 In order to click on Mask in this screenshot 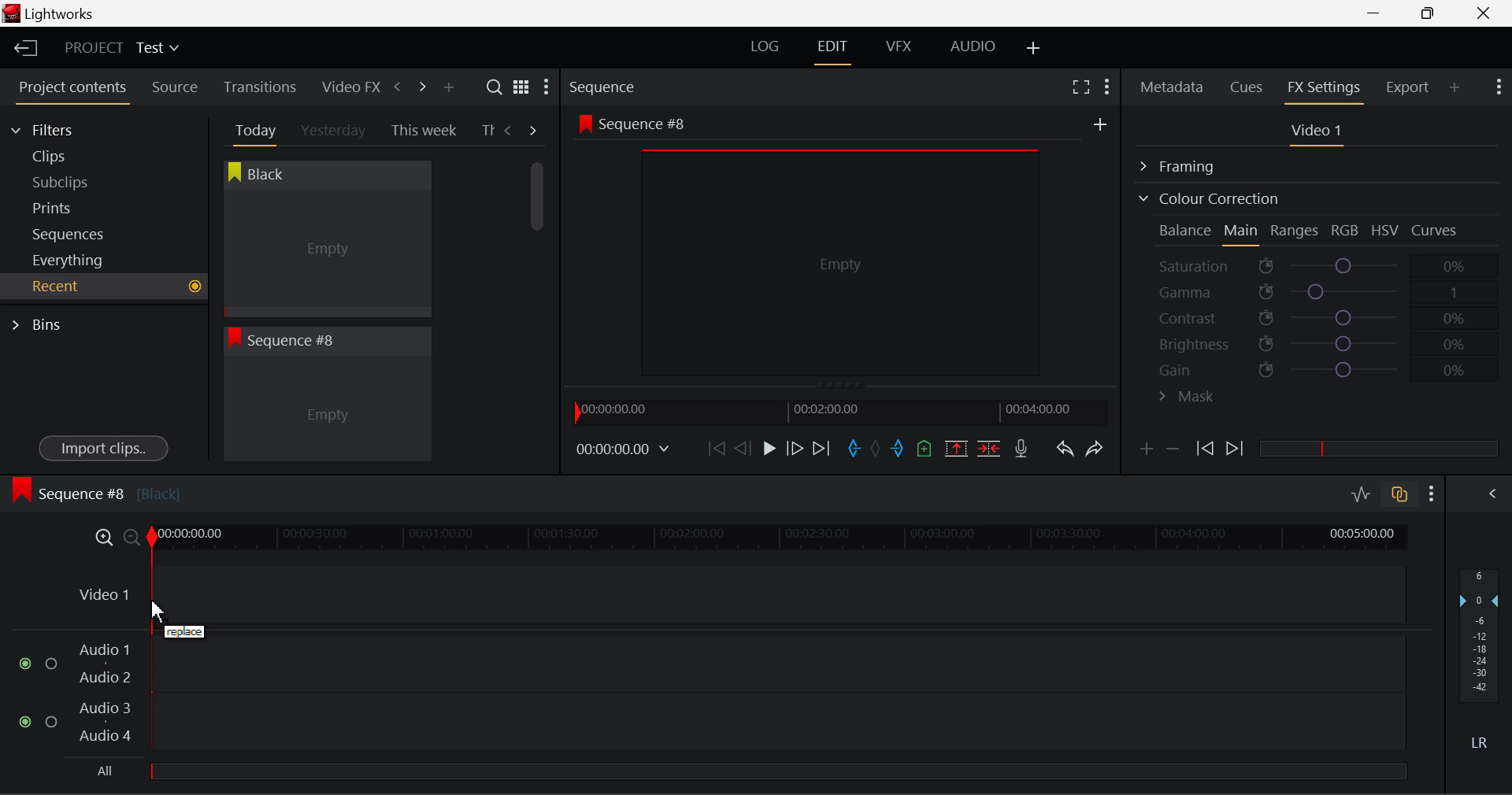, I will do `click(1188, 398)`.